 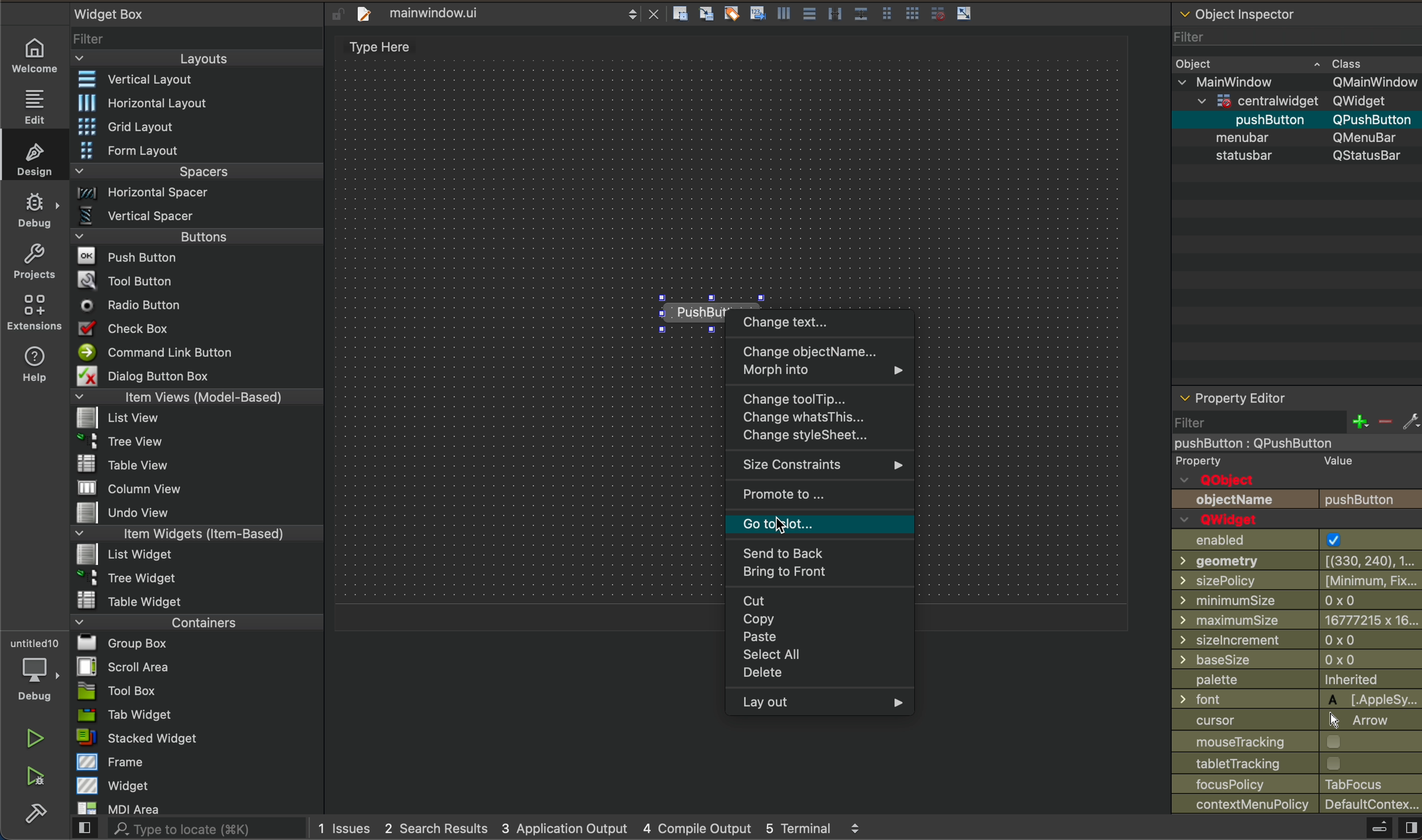 What do you see at coordinates (199, 126) in the screenshot?
I see `grid layout` at bounding box center [199, 126].